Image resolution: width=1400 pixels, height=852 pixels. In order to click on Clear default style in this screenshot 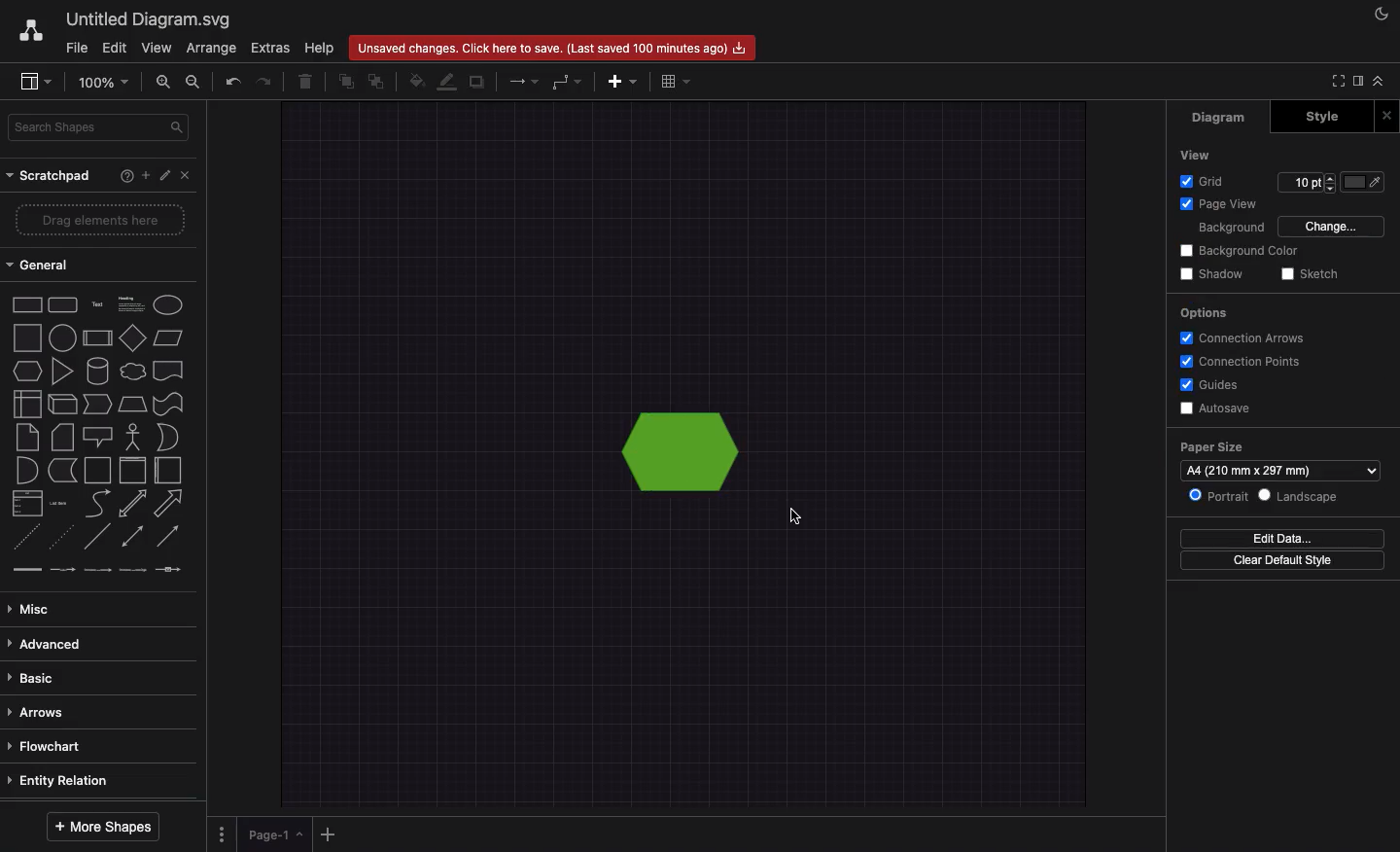, I will do `click(1279, 560)`.